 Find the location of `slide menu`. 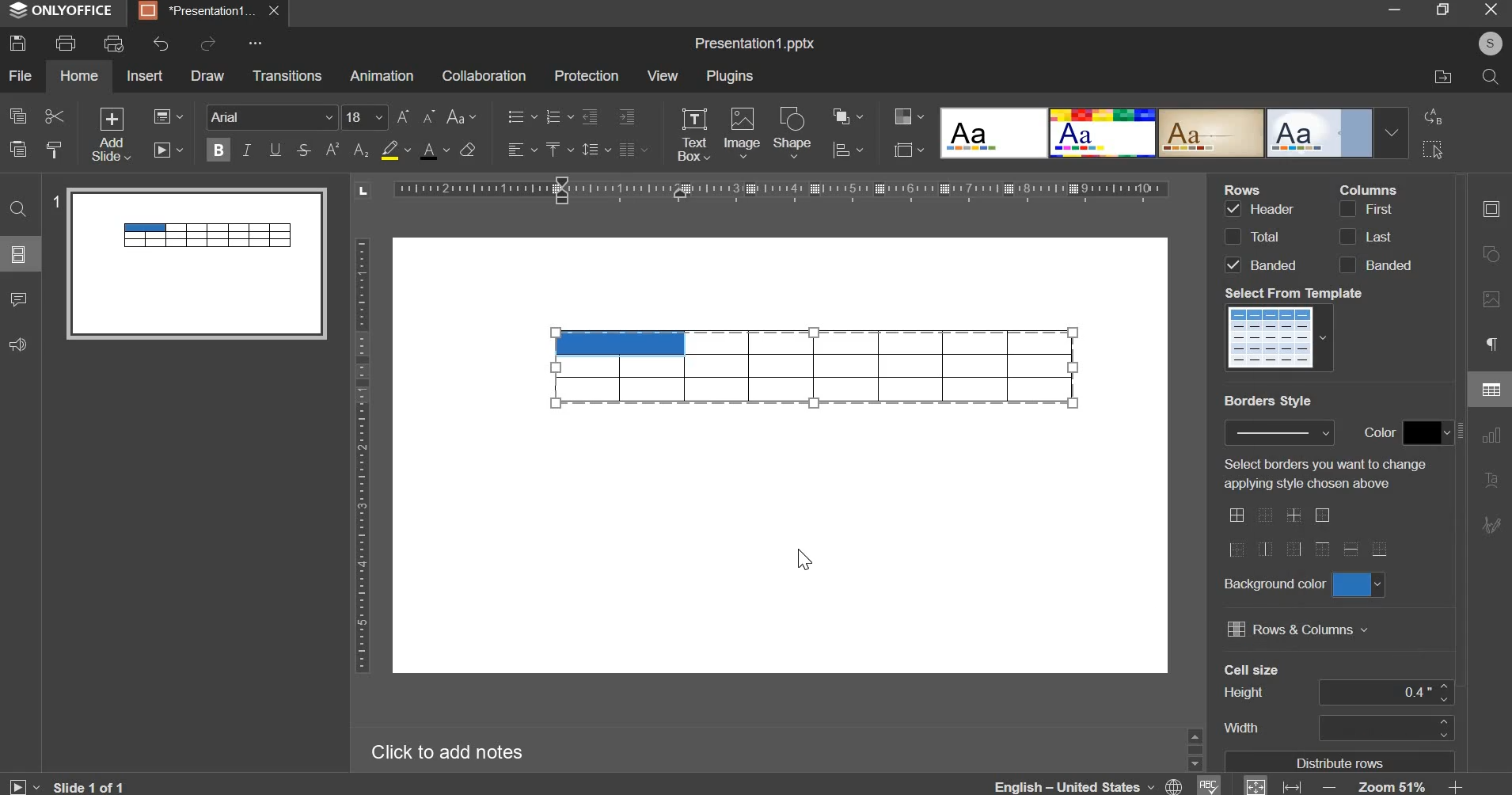

slide menu is located at coordinates (18, 254).